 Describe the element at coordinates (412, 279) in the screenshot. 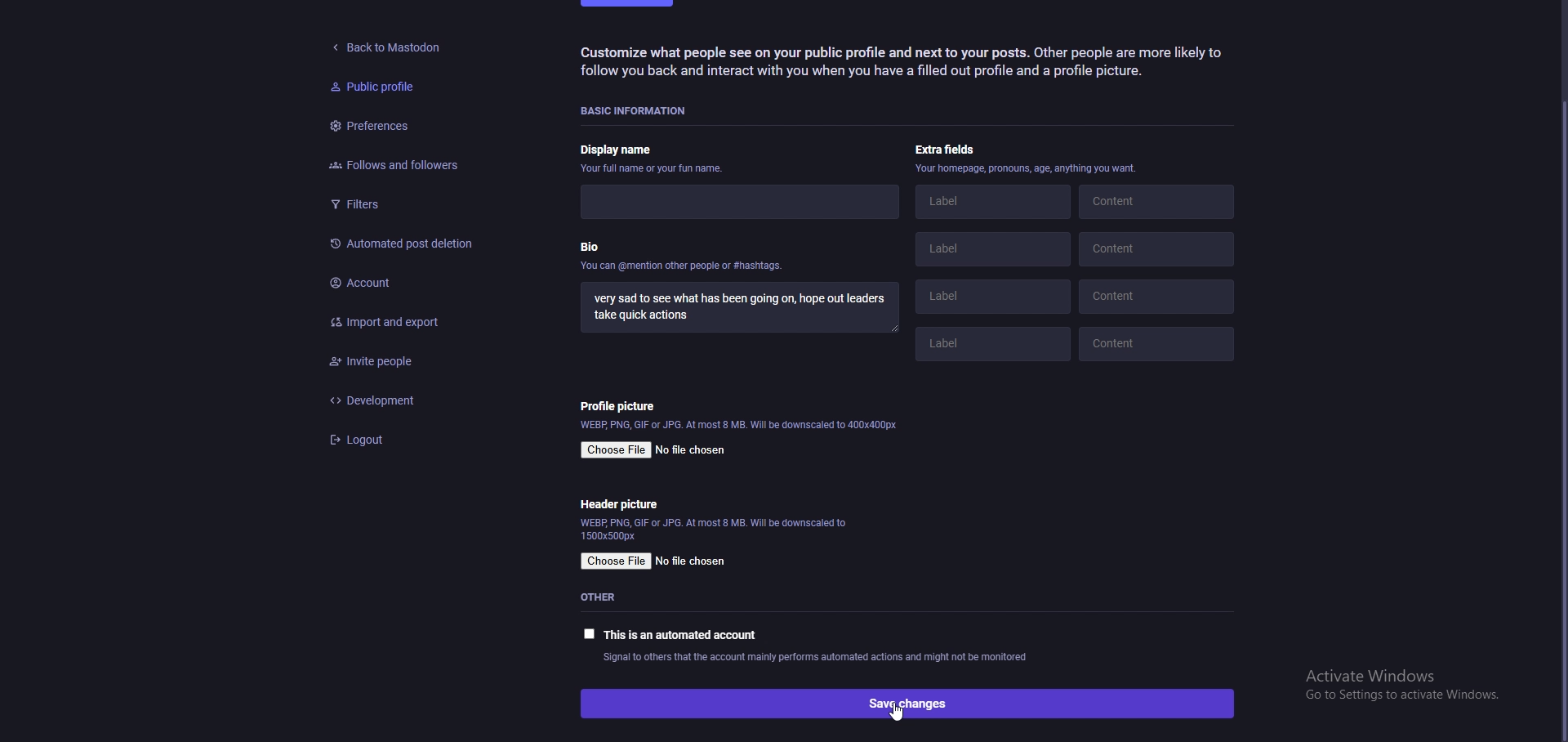

I see `Account` at that location.